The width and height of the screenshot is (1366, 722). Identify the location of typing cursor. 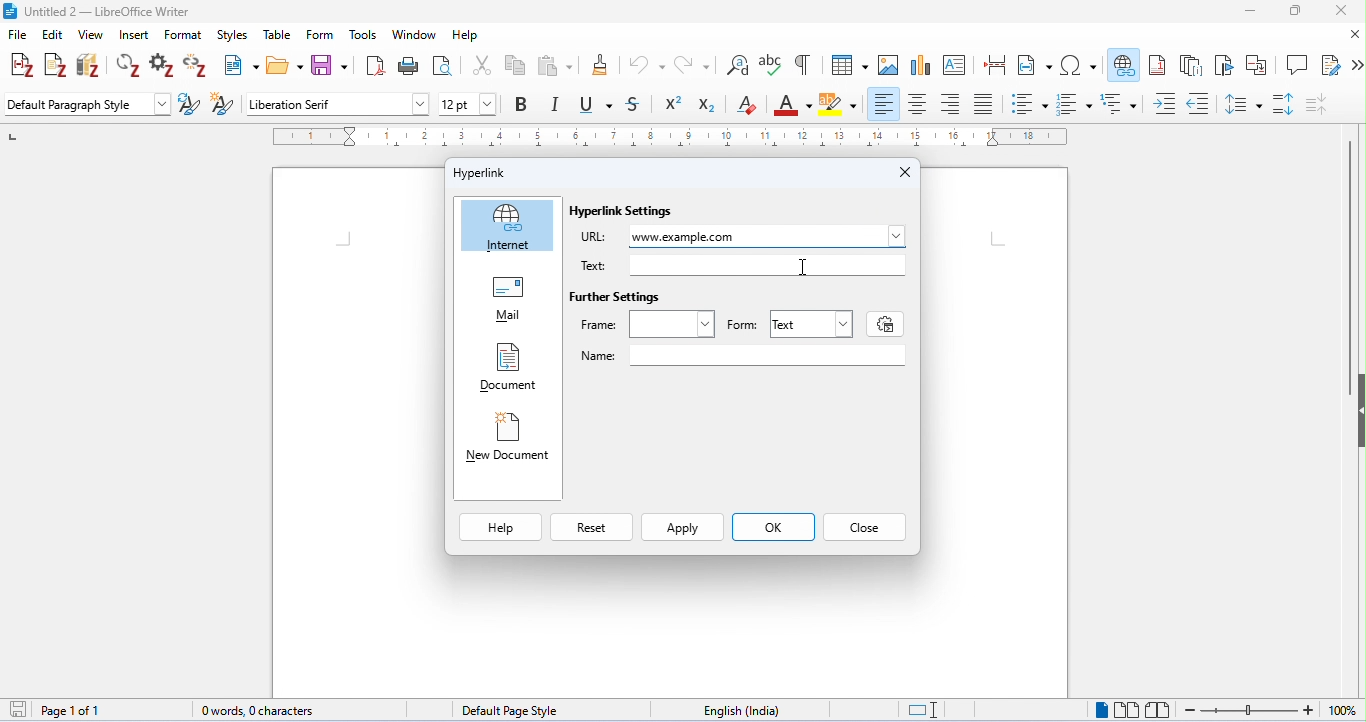
(350, 247).